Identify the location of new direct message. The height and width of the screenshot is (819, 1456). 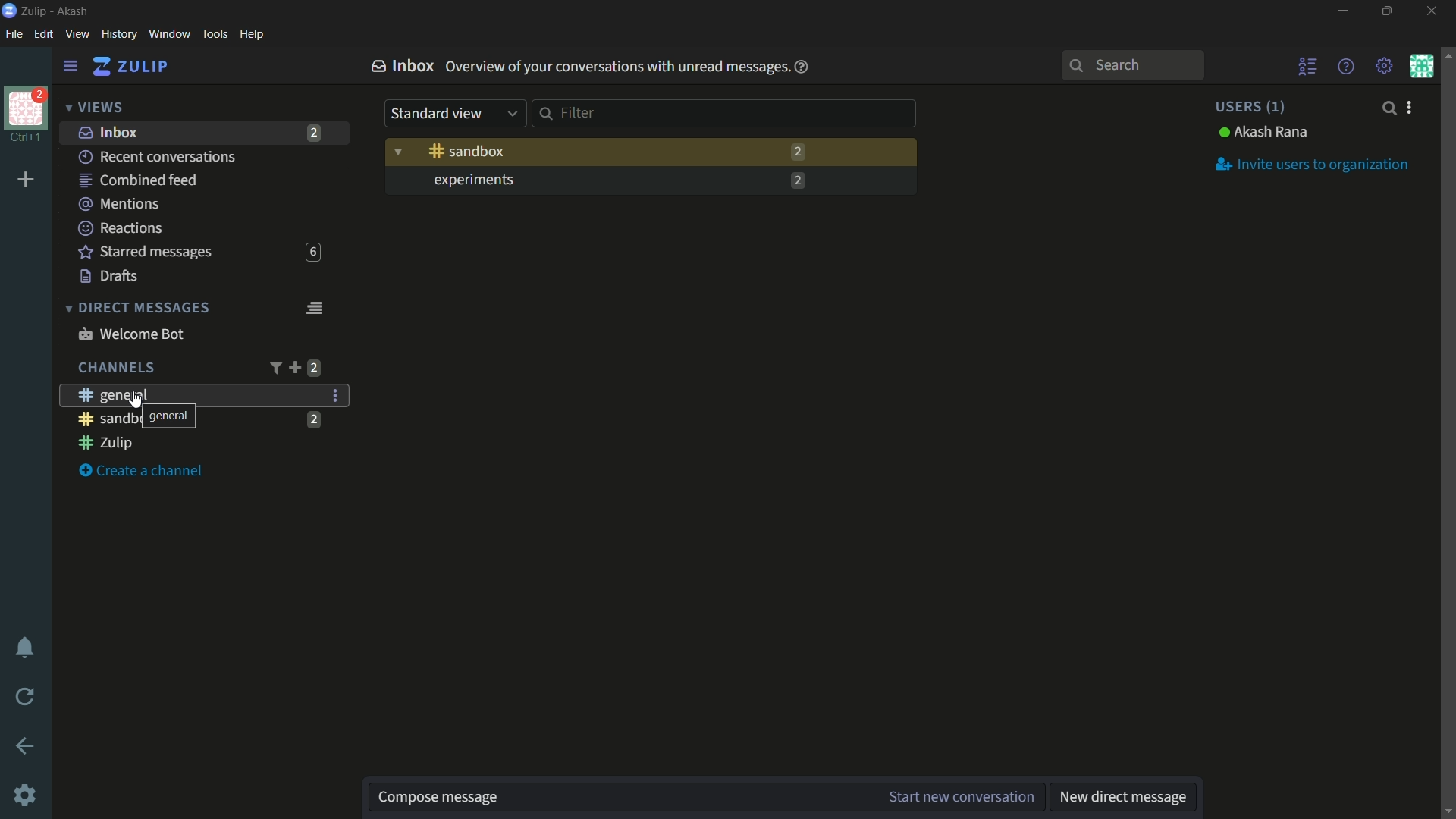
(1123, 798).